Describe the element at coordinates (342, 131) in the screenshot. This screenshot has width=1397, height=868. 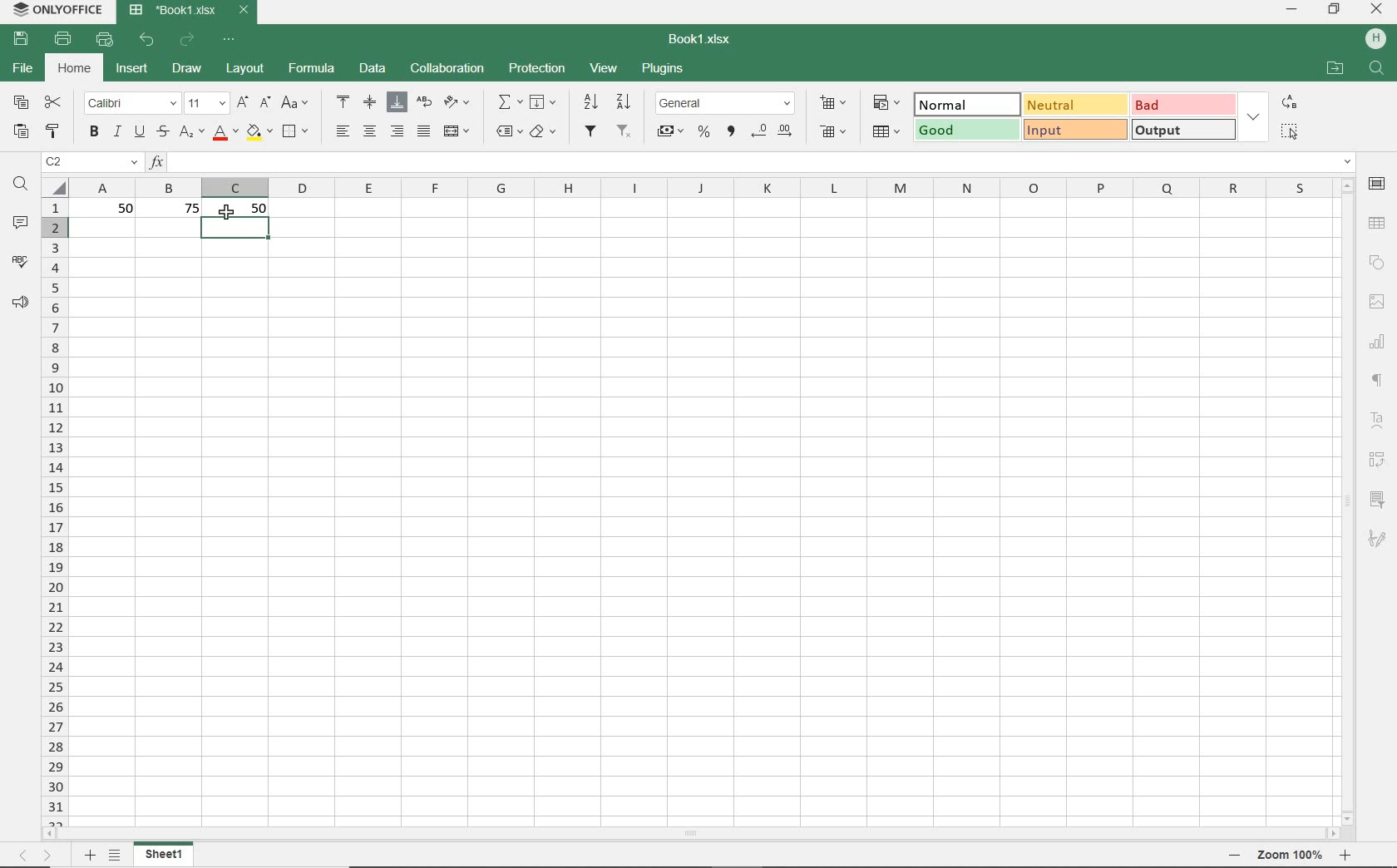
I see `align left` at that location.